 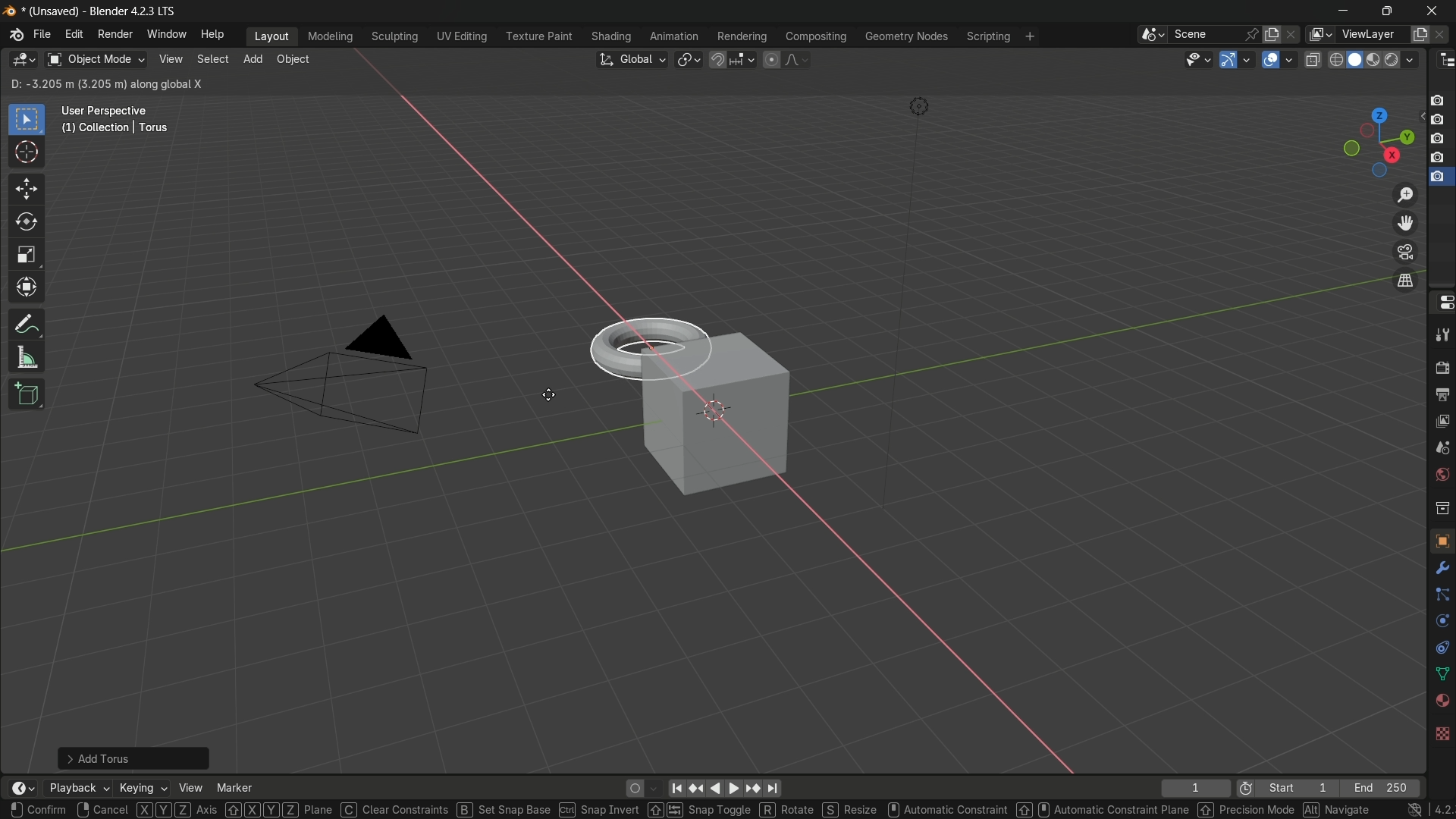 I want to click on icon, so click(x=1246, y=790).